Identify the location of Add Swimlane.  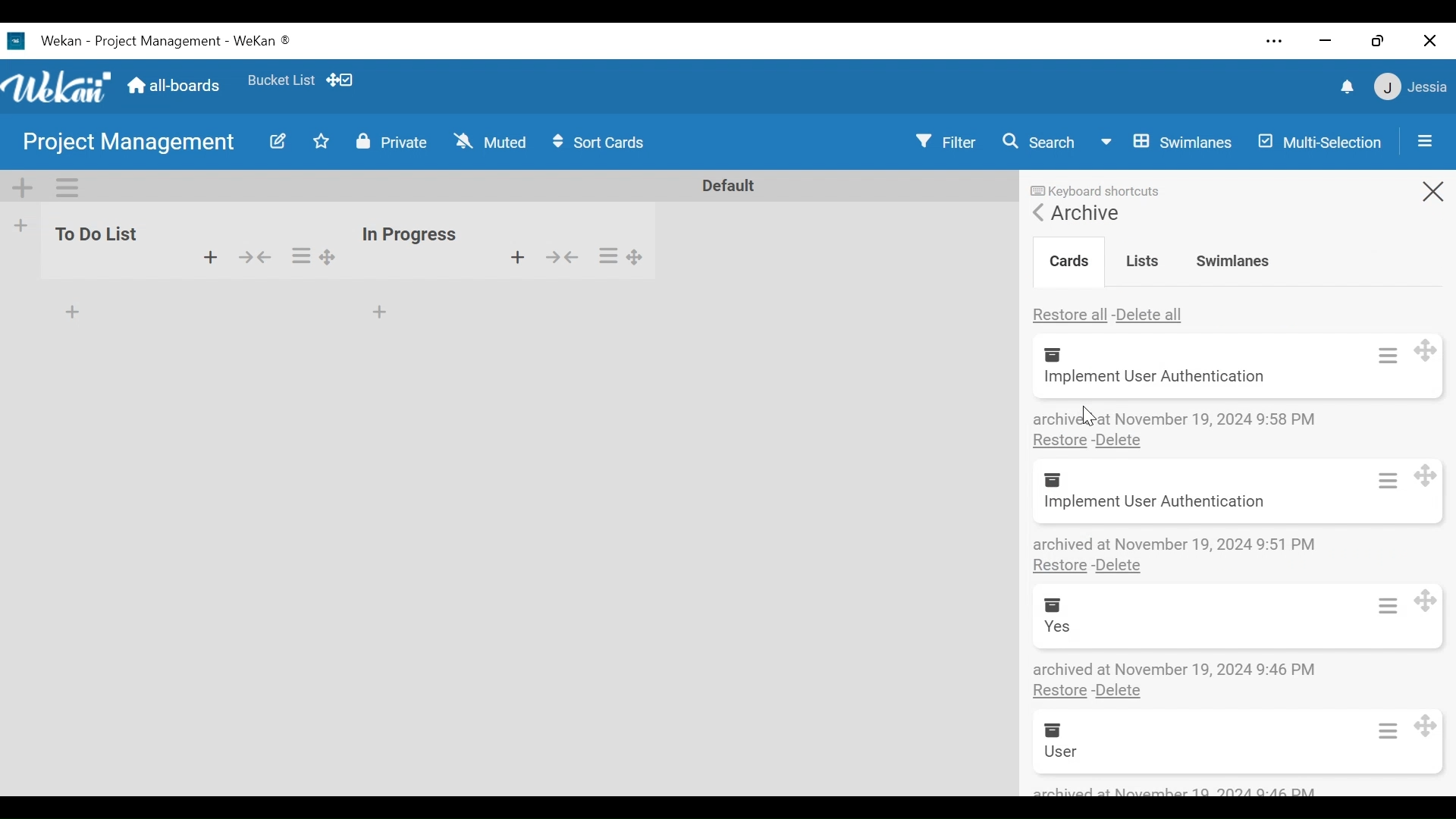
(24, 188).